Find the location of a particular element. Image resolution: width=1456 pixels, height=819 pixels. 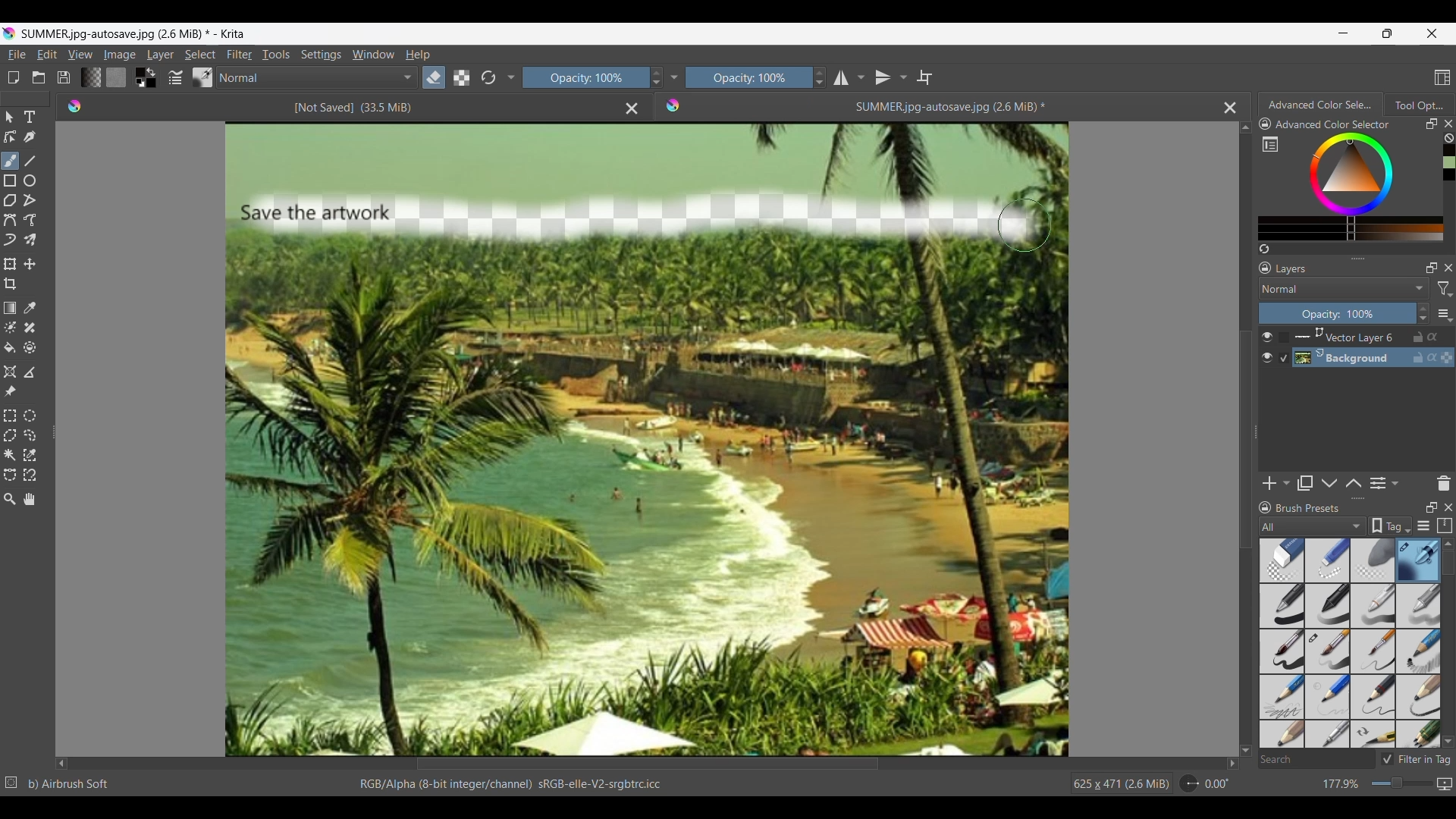

[Not Saved] (33.5 MiB) is located at coordinates (352, 108).